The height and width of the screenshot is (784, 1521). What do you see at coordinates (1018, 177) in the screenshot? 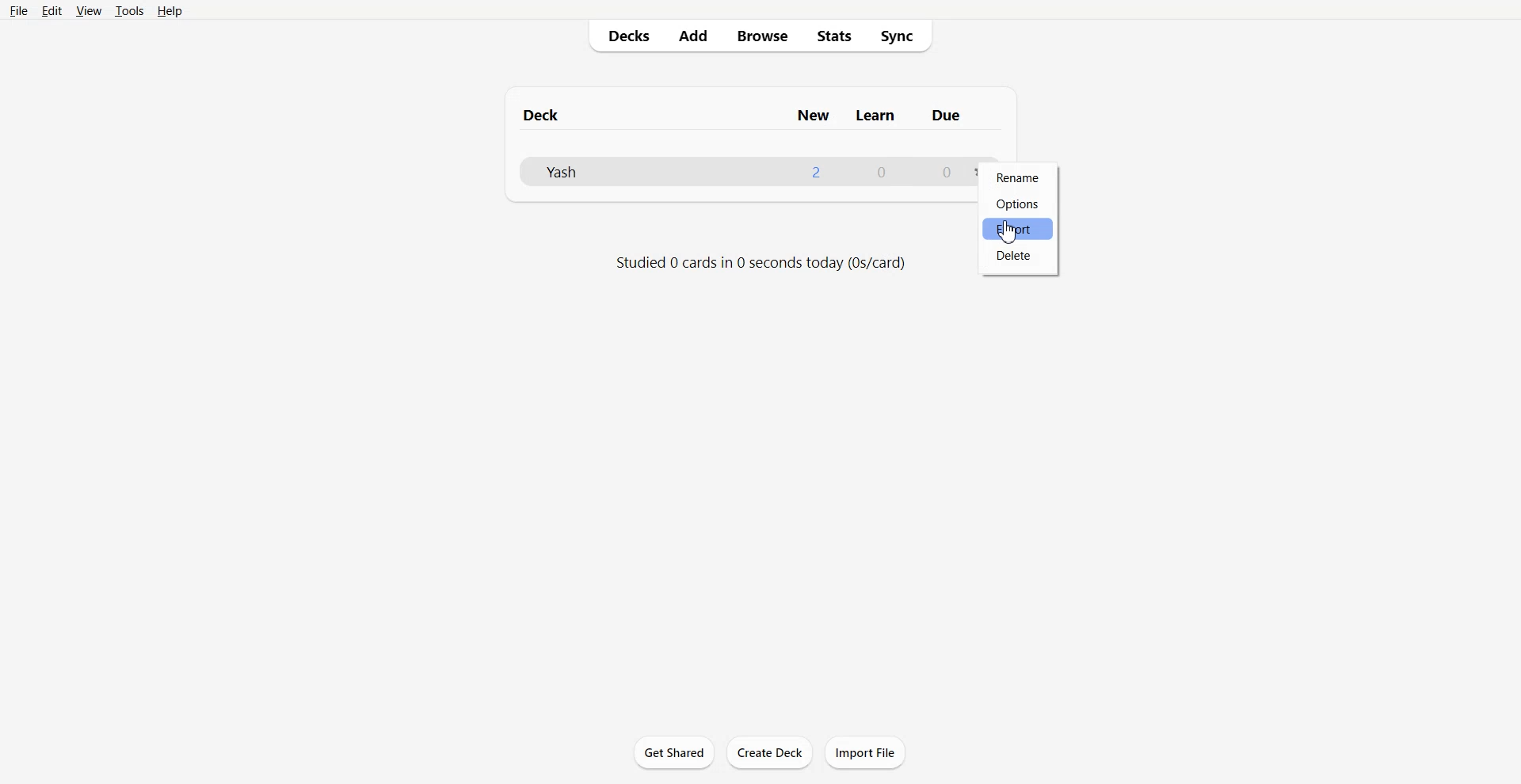
I see `Rename` at bounding box center [1018, 177].